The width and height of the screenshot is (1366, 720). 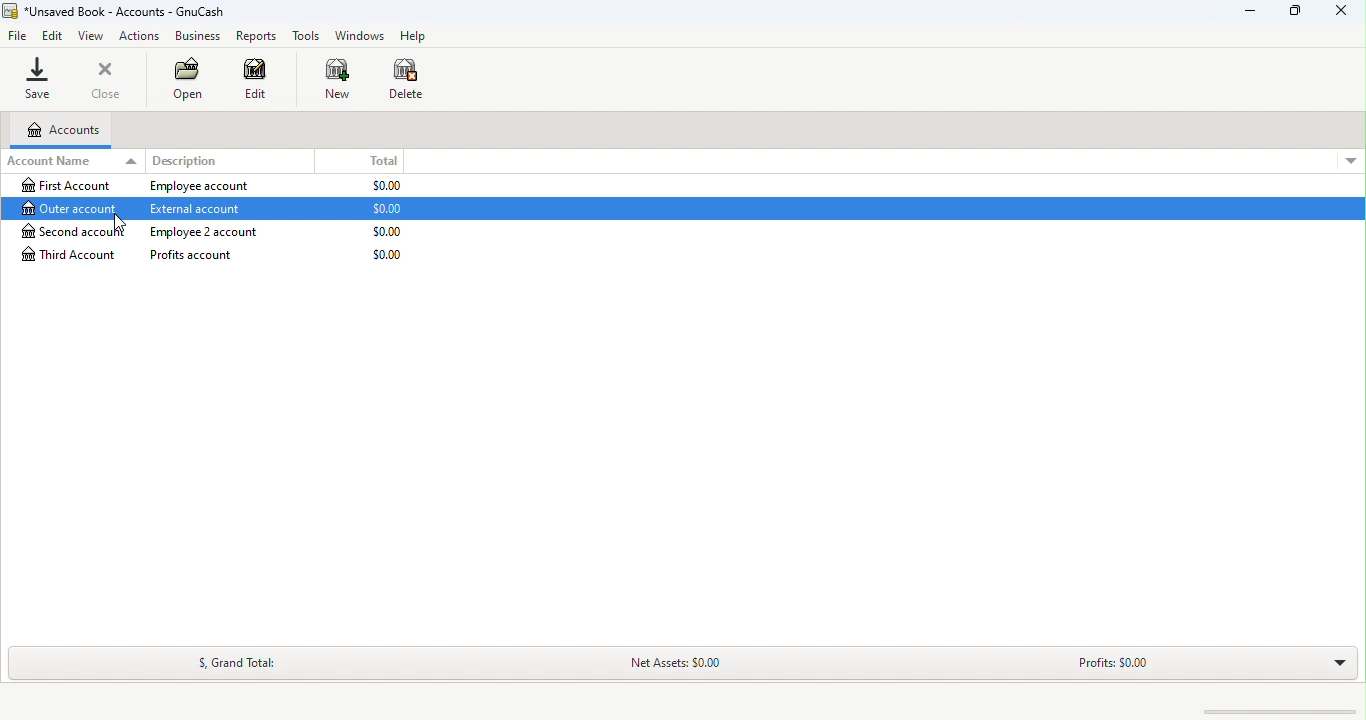 What do you see at coordinates (195, 80) in the screenshot?
I see `Open` at bounding box center [195, 80].